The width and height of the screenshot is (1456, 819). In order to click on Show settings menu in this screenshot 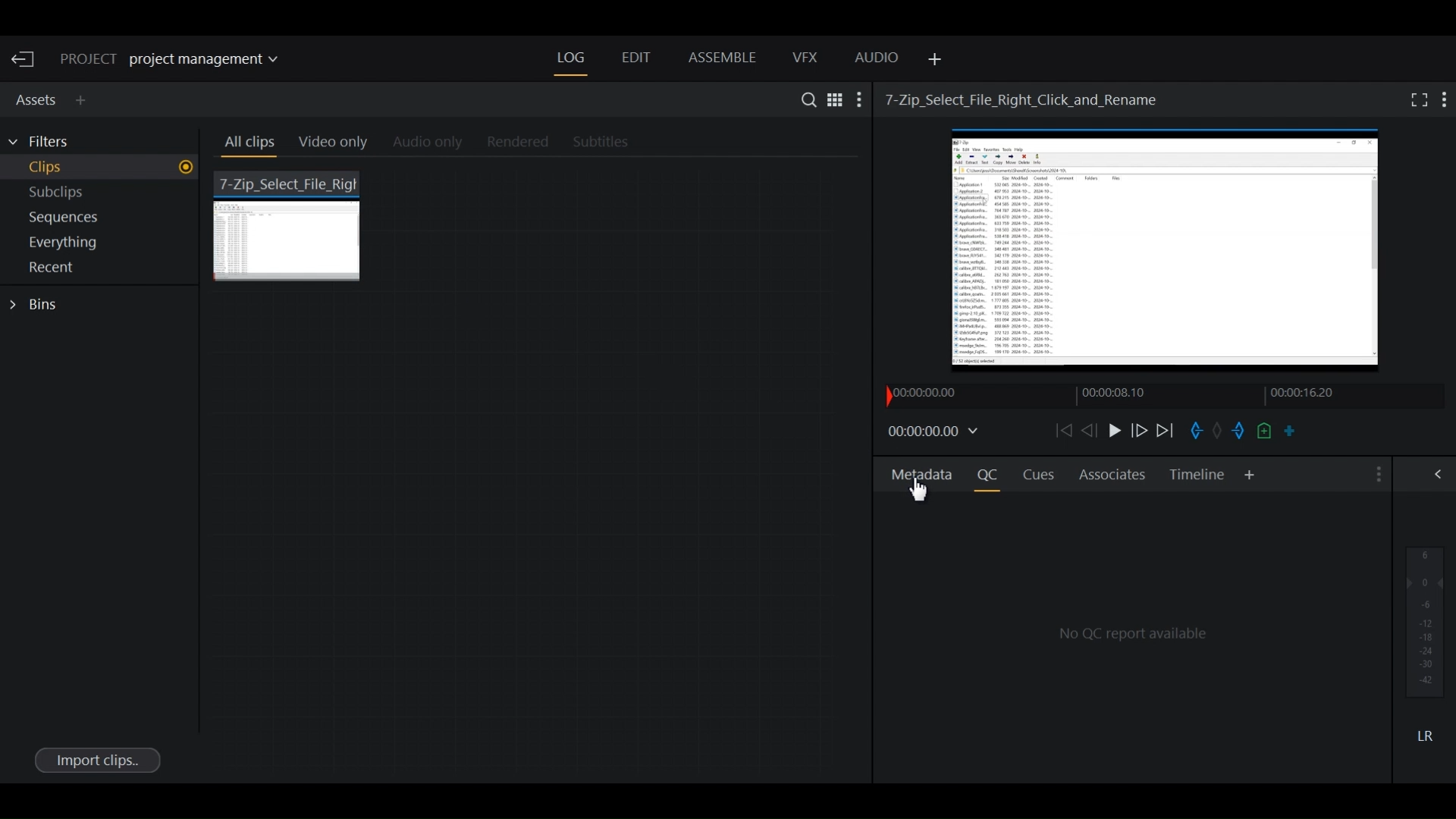, I will do `click(1376, 475)`.